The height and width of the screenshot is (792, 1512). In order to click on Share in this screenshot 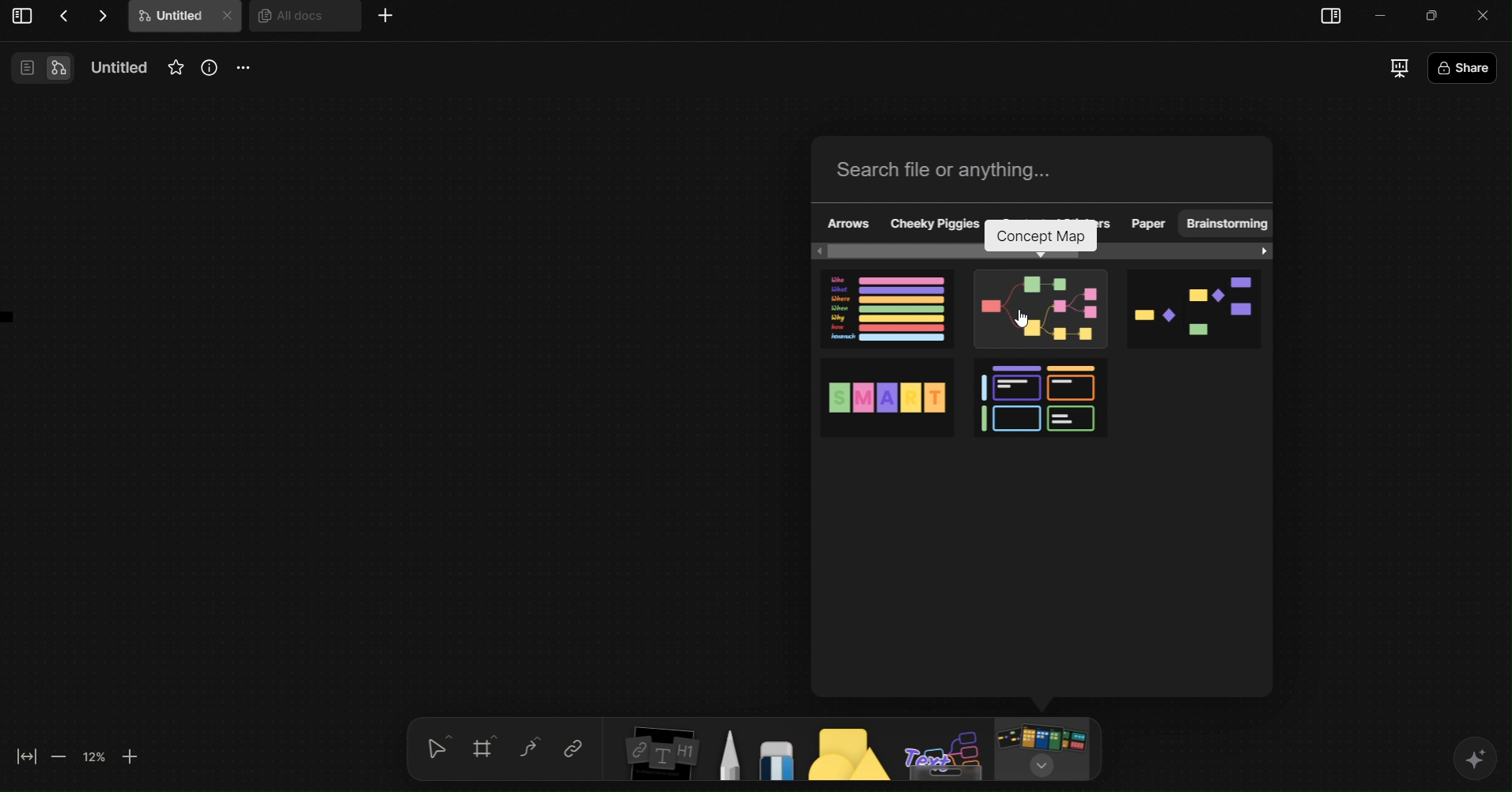, I will do `click(1498, 71)`.